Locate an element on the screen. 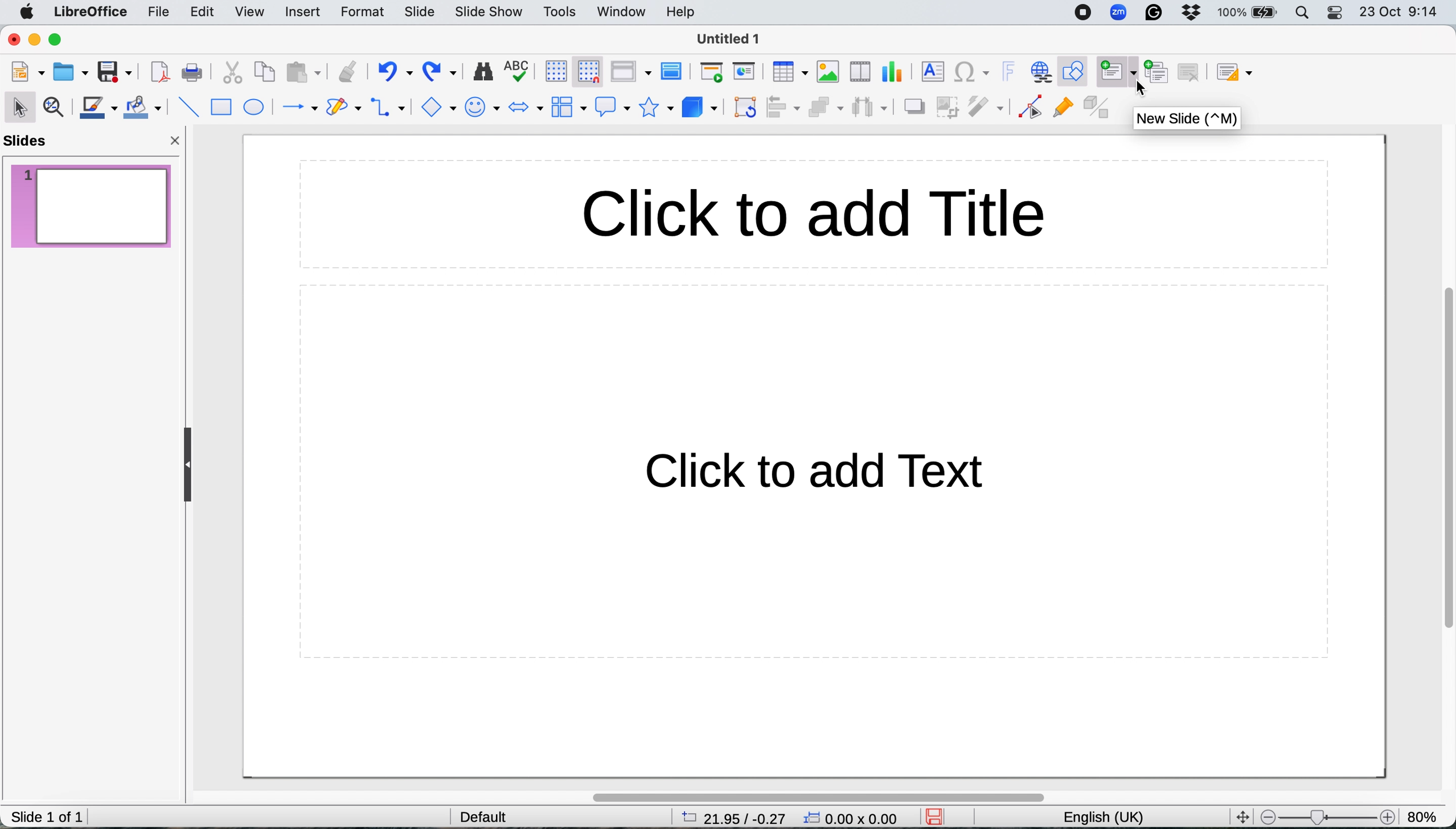 The width and height of the screenshot is (1456, 829). rectangle is located at coordinates (223, 108).